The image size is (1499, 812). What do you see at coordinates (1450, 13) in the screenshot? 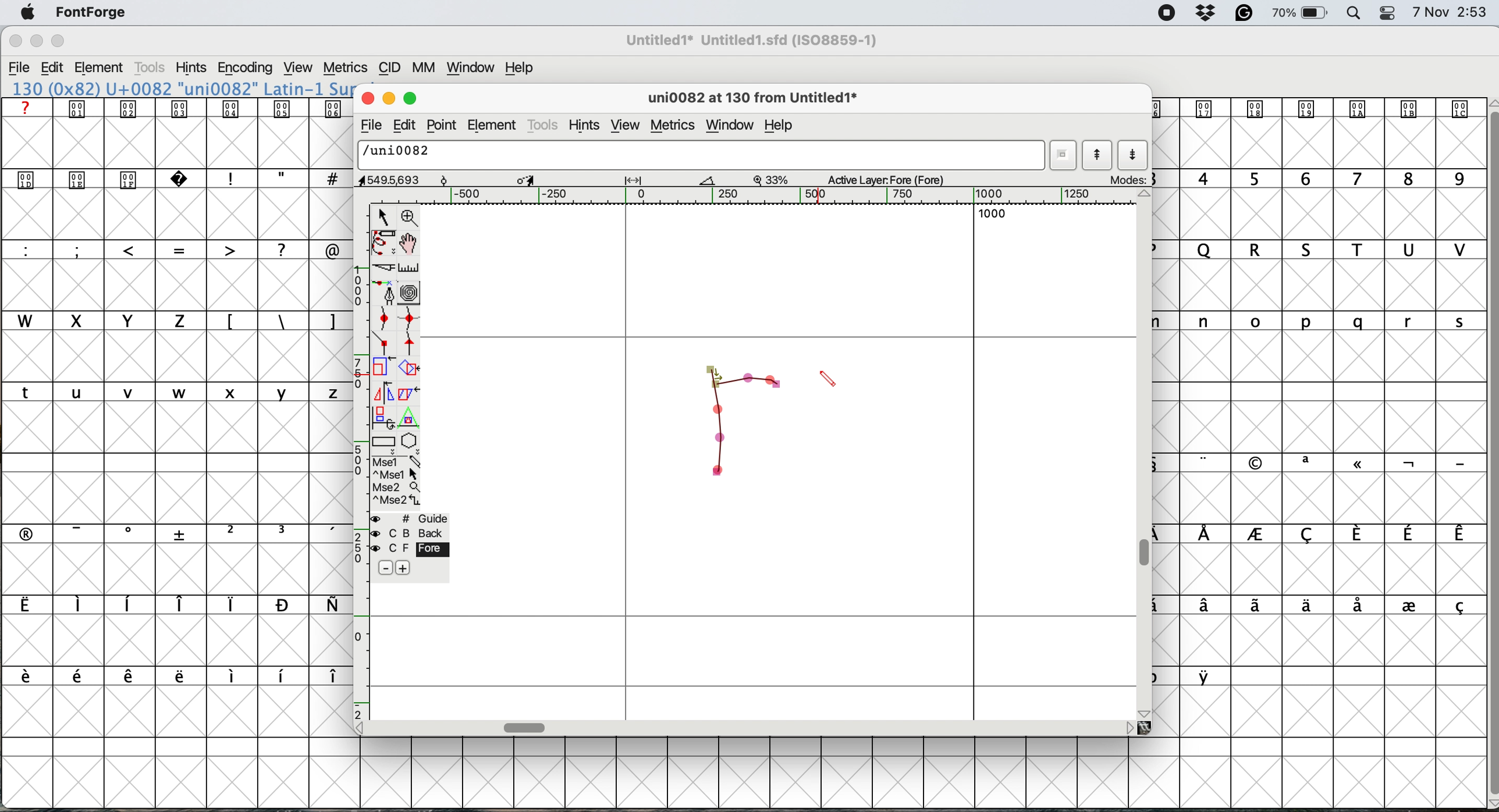
I see `date and time` at bounding box center [1450, 13].